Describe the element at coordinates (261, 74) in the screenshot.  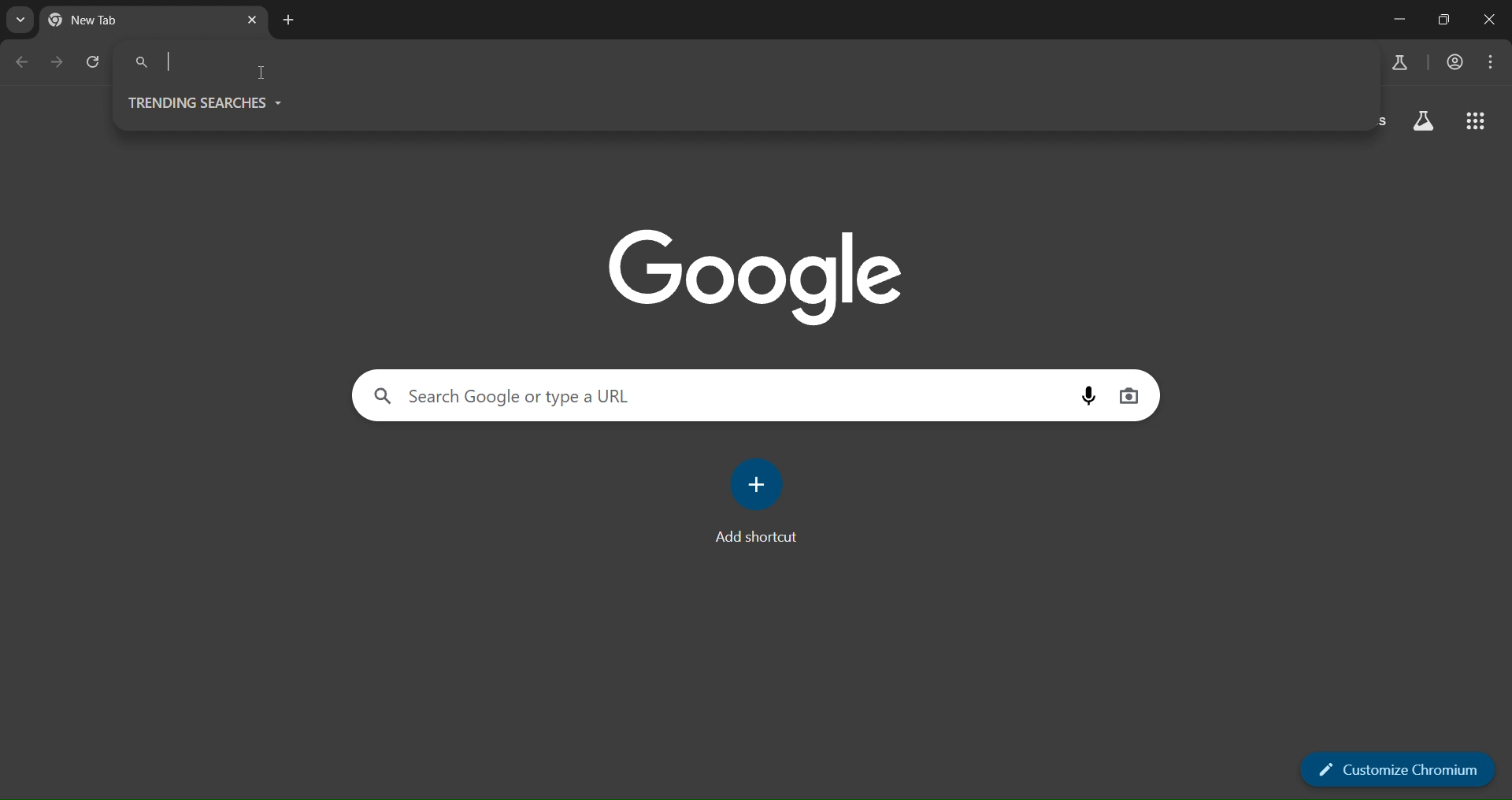
I see `cursor` at that location.